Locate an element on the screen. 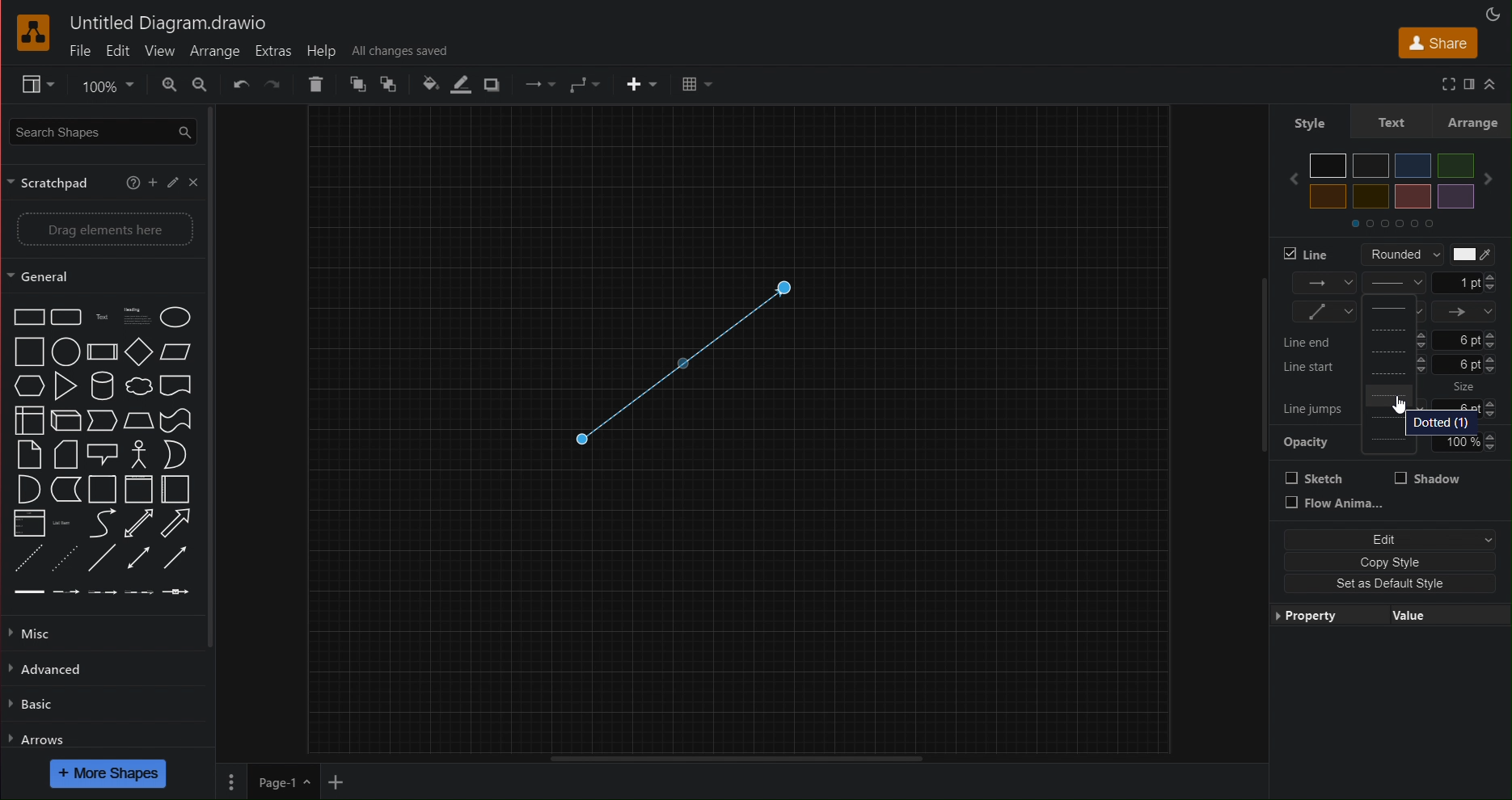 This screenshot has width=1512, height=800. Property is located at coordinates (1320, 616).